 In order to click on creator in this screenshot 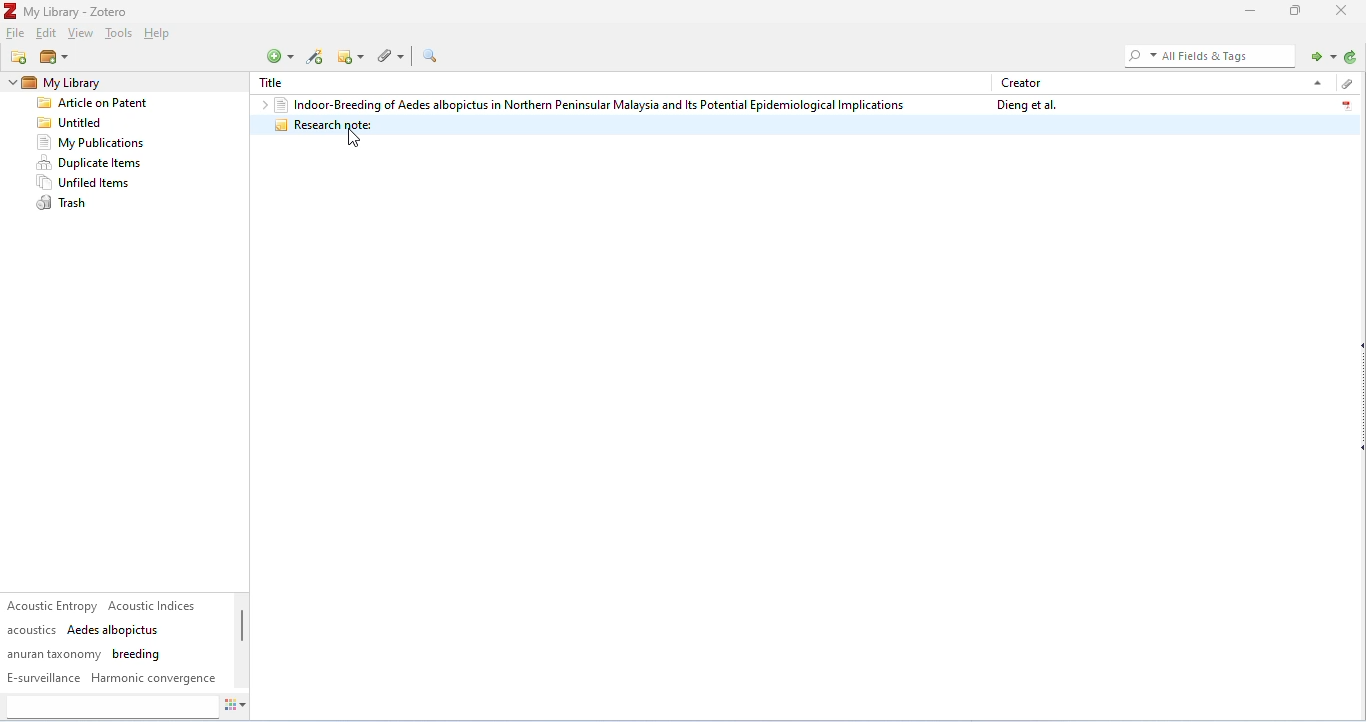, I will do `click(1022, 82)`.